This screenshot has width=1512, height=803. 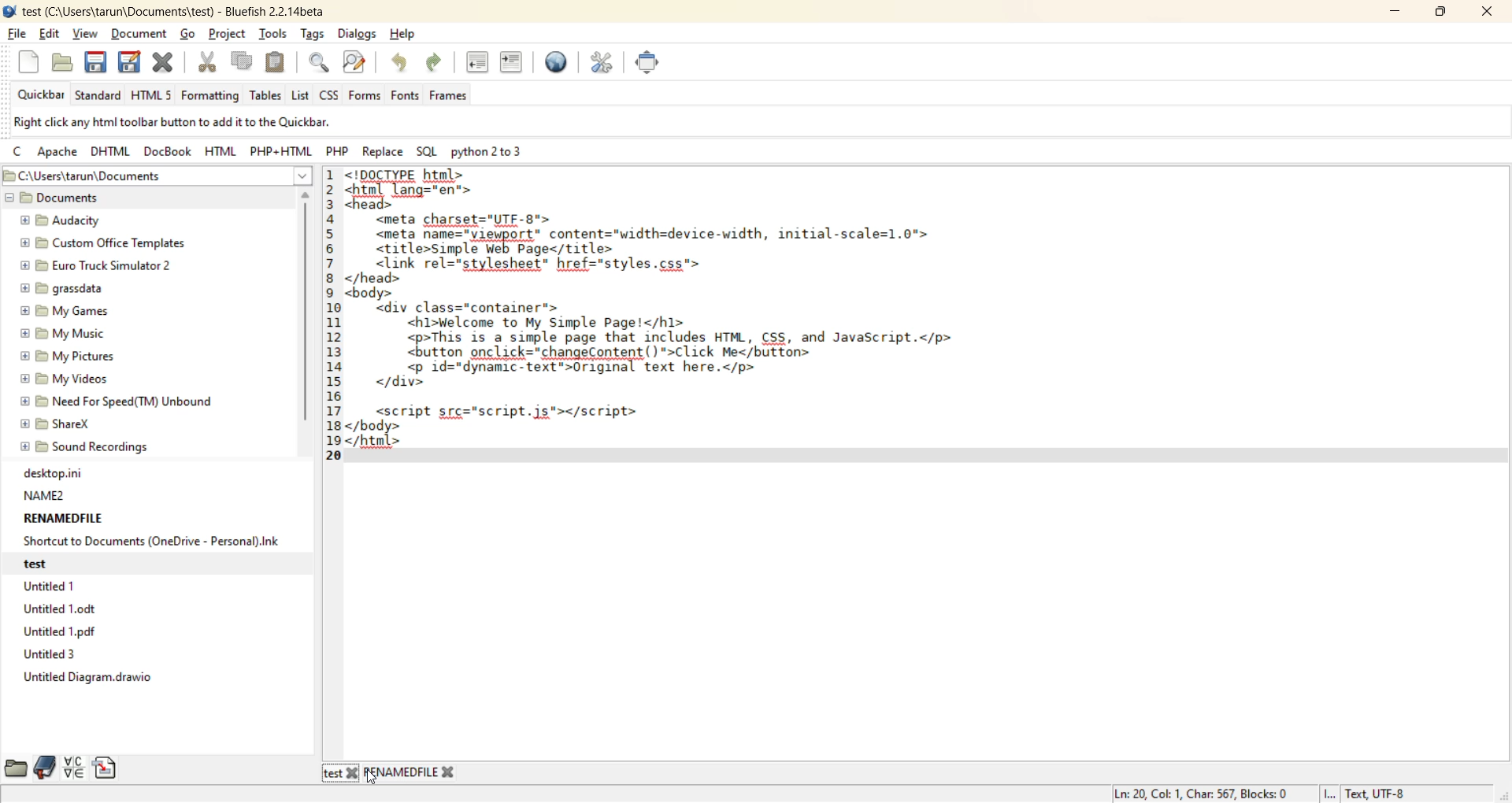 What do you see at coordinates (51, 35) in the screenshot?
I see `edit` at bounding box center [51, 35].